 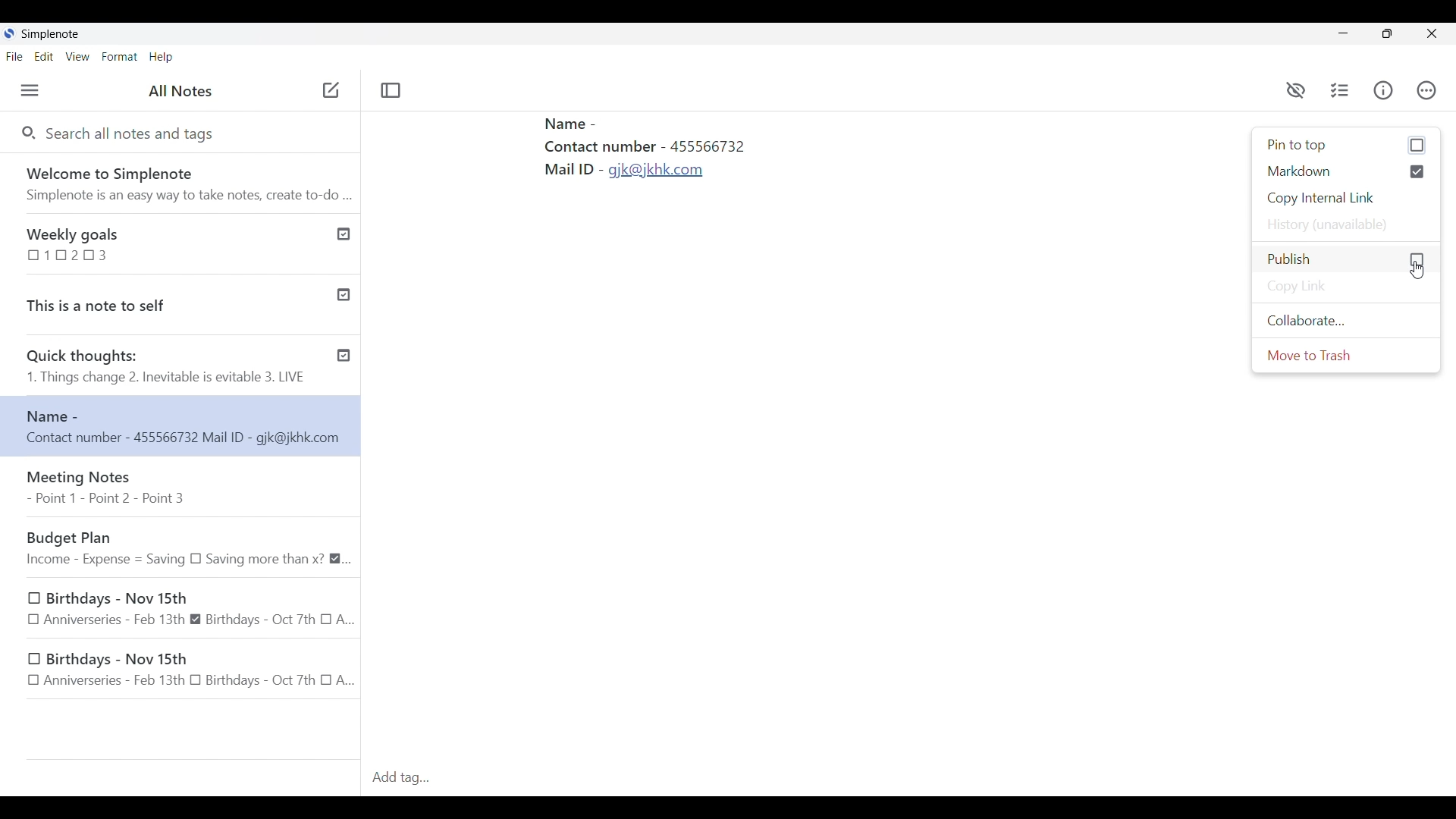 What do you see at coordinates (162, 57) in the screenshot?
I see `Help menu` at bounding box center [162, 57].